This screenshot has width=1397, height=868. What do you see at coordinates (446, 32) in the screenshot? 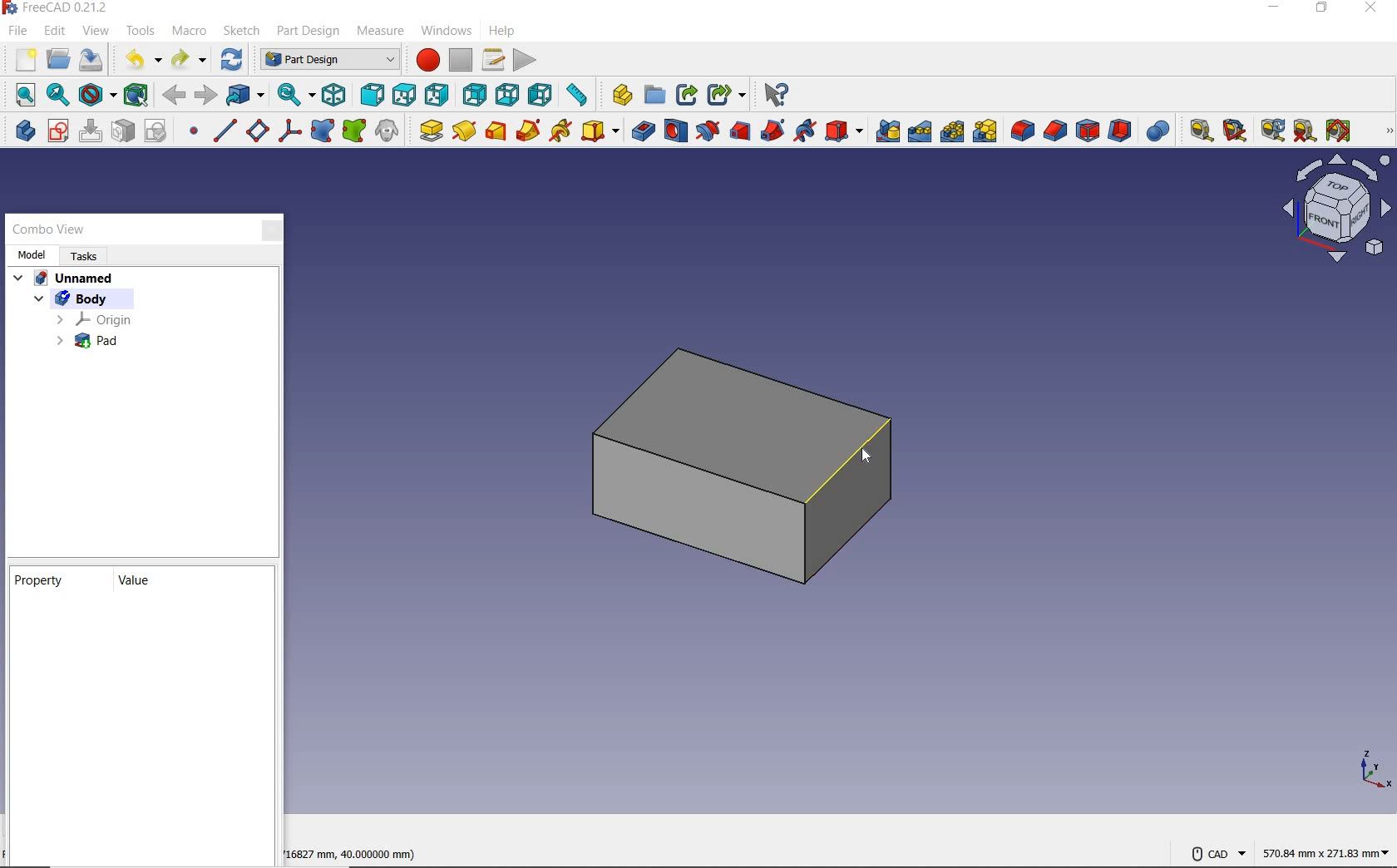
I see `windows` at bounding box center [446, 32].